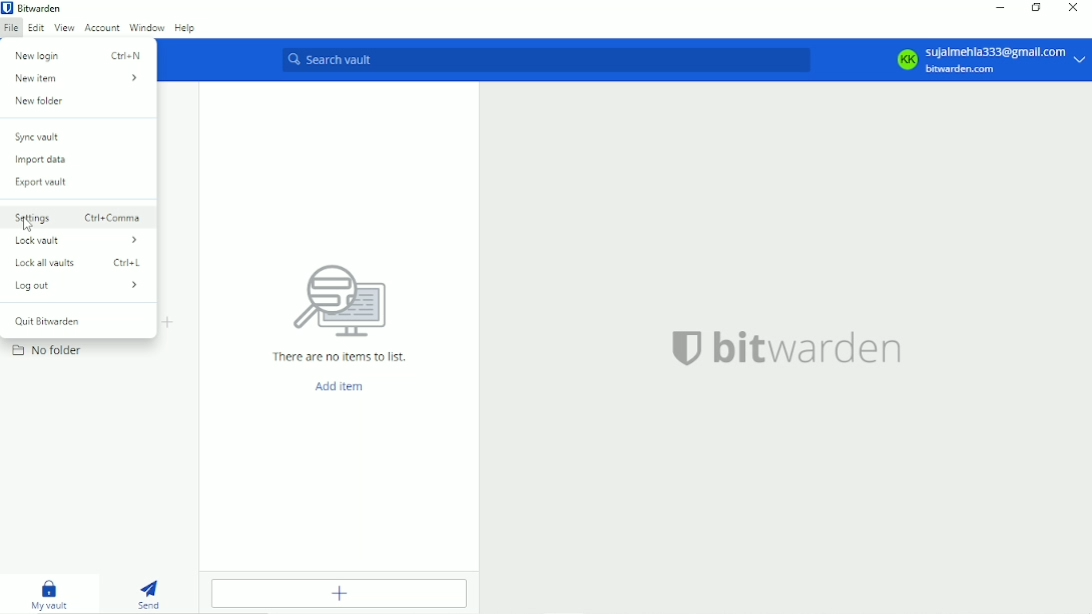 The width and height of the screenshot is (1092, 614). Describe the element at coordinates (340, 594) in the screenshot. I see `Add item` at that location.